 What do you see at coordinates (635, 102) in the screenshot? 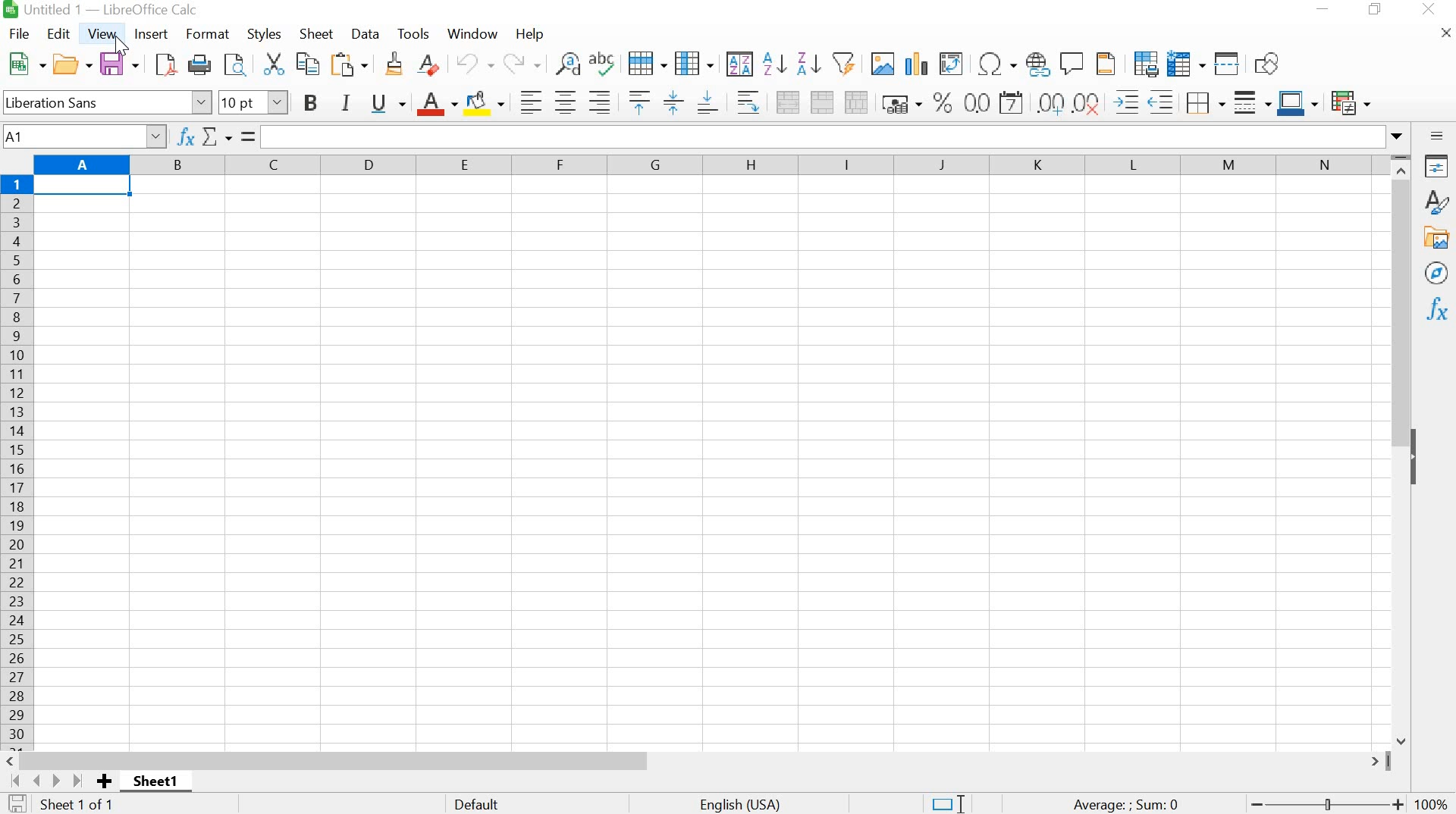
I see `ALIGN TOP` at bounding box center [635, 102].